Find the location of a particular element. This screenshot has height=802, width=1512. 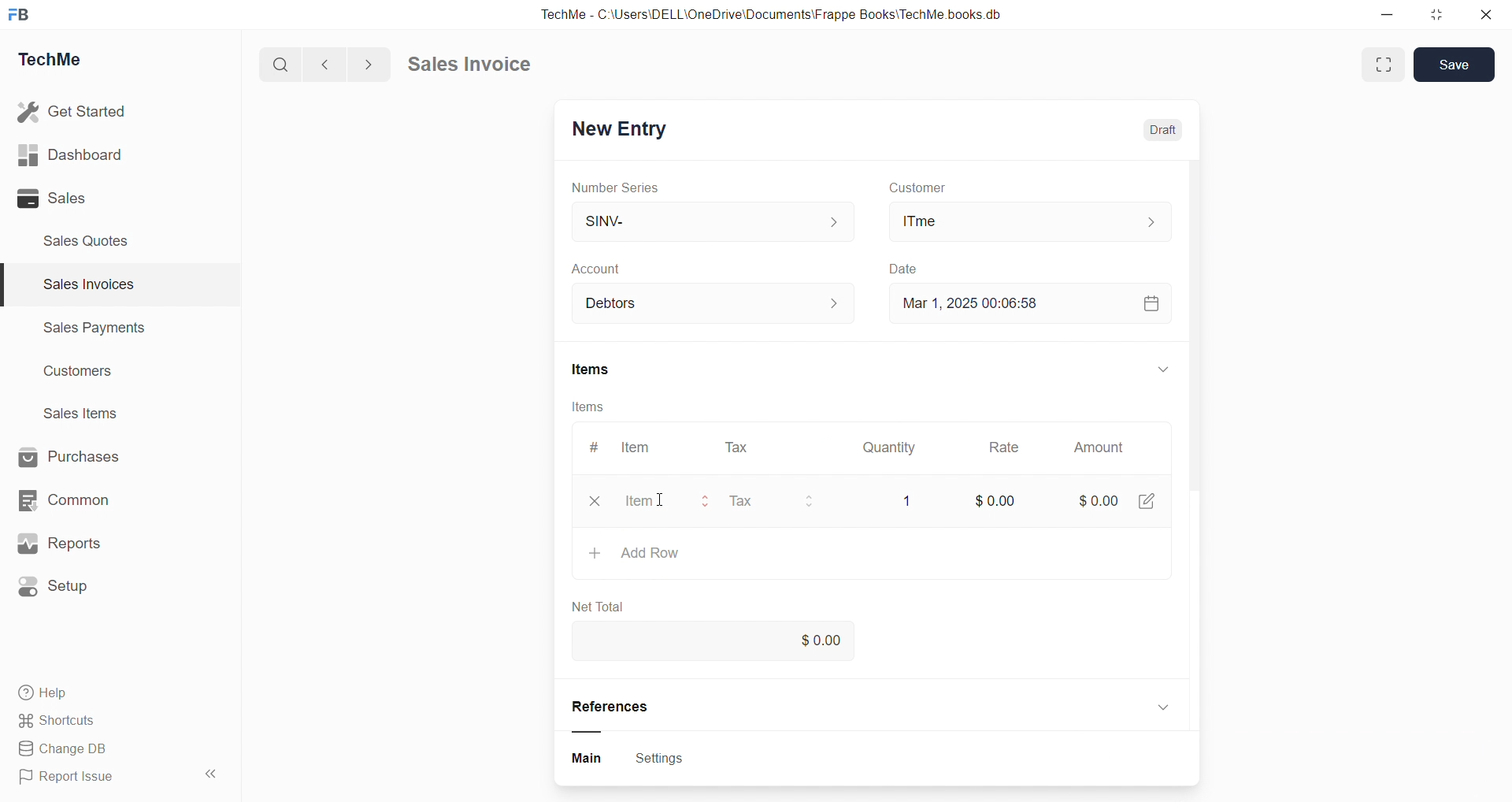

EB Common is located at coordinates (80, 499).